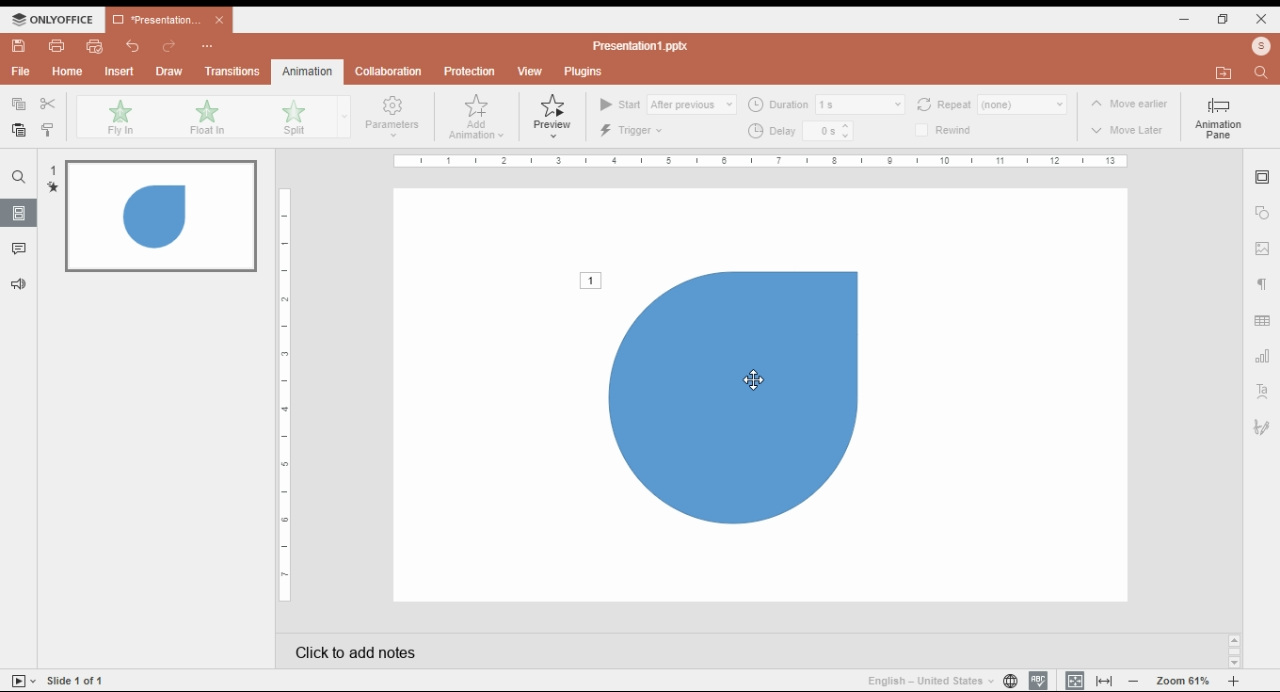  Describe the element at coordinates (826, 103) in the screenshot. I see `duration` at that location.